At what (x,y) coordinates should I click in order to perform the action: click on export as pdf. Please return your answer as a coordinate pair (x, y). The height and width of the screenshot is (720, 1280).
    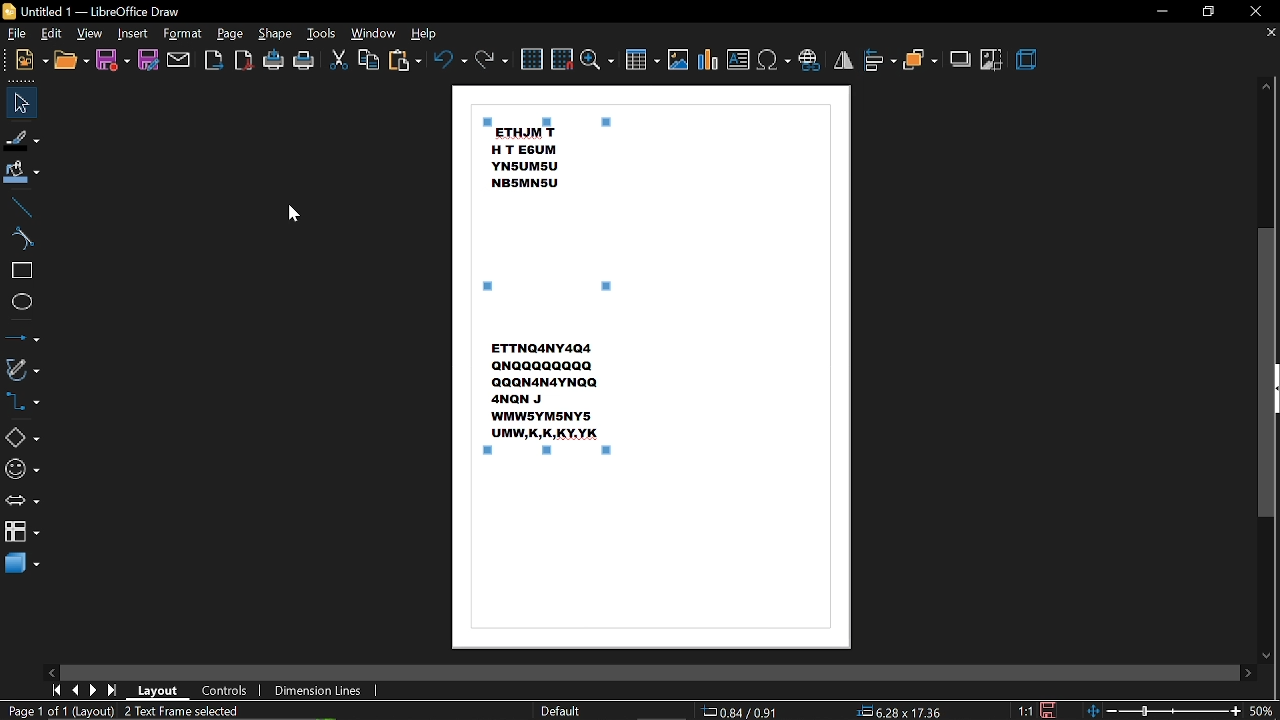
    Looking at the image, I should click on (243, 62).